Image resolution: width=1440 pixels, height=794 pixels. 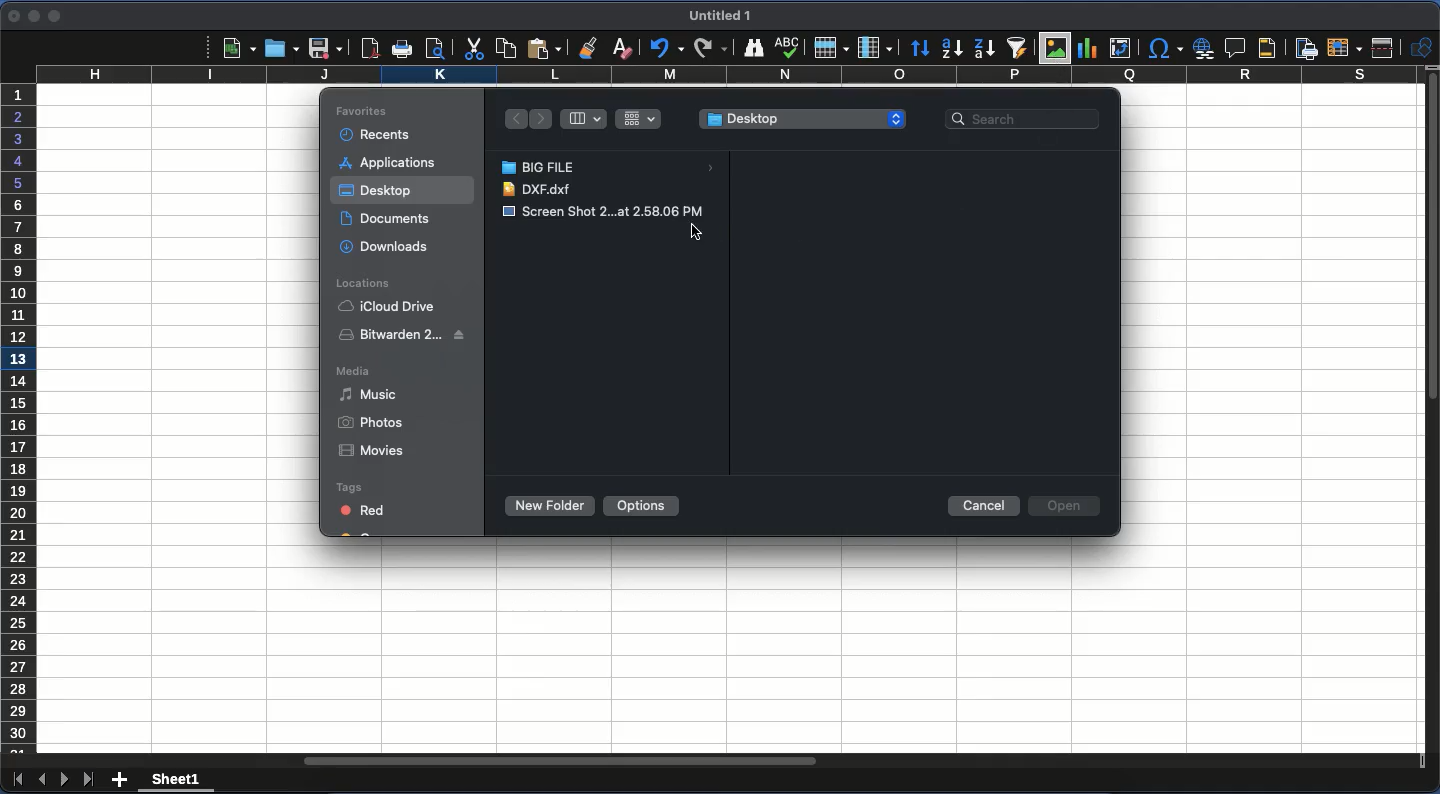 I want to click on redo, so click(x=710, y=48).